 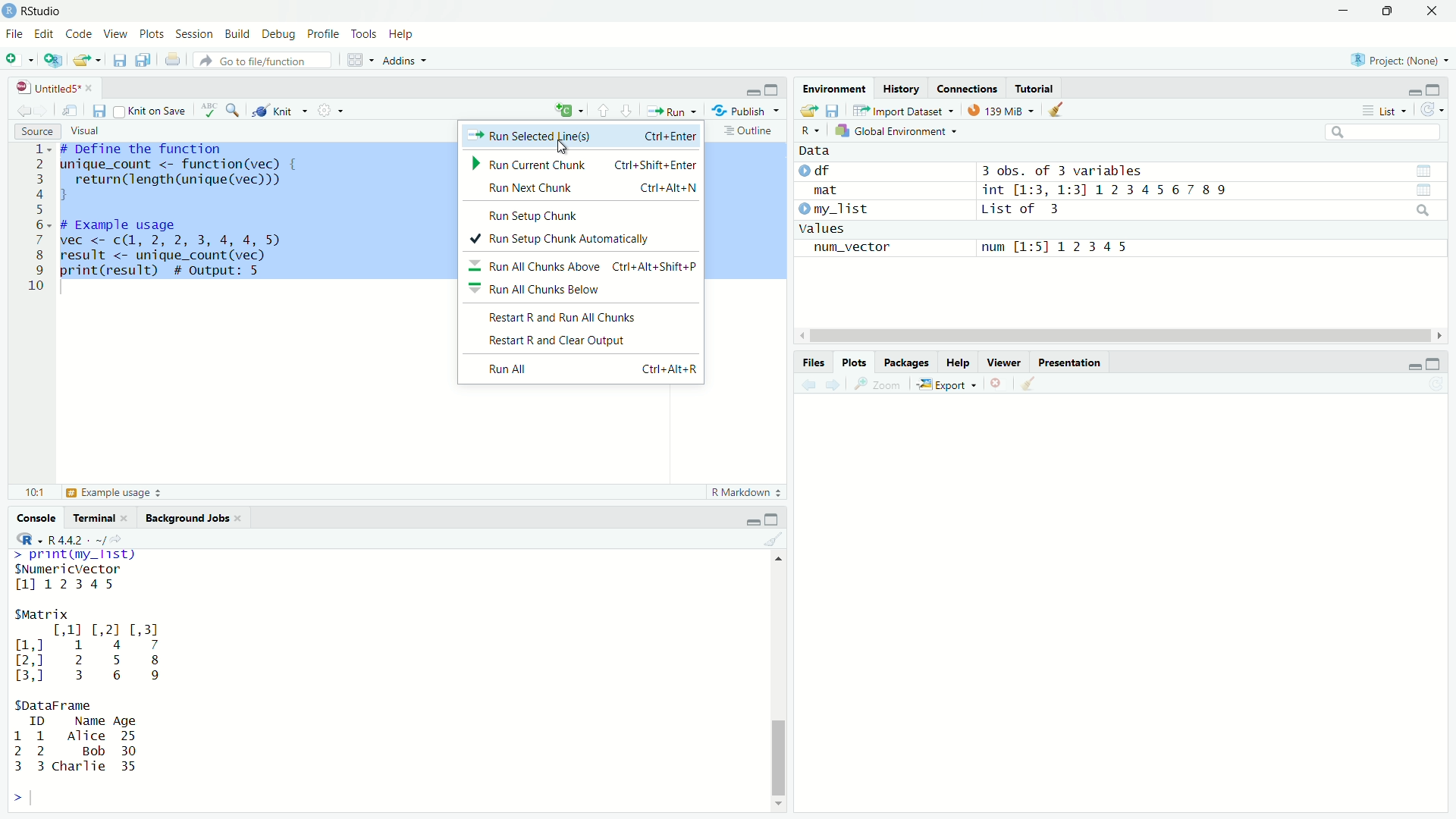 What do you see at coordinates (70, 111) in the screenshot?
I see `show in new window` at bounding box center [70, 111].